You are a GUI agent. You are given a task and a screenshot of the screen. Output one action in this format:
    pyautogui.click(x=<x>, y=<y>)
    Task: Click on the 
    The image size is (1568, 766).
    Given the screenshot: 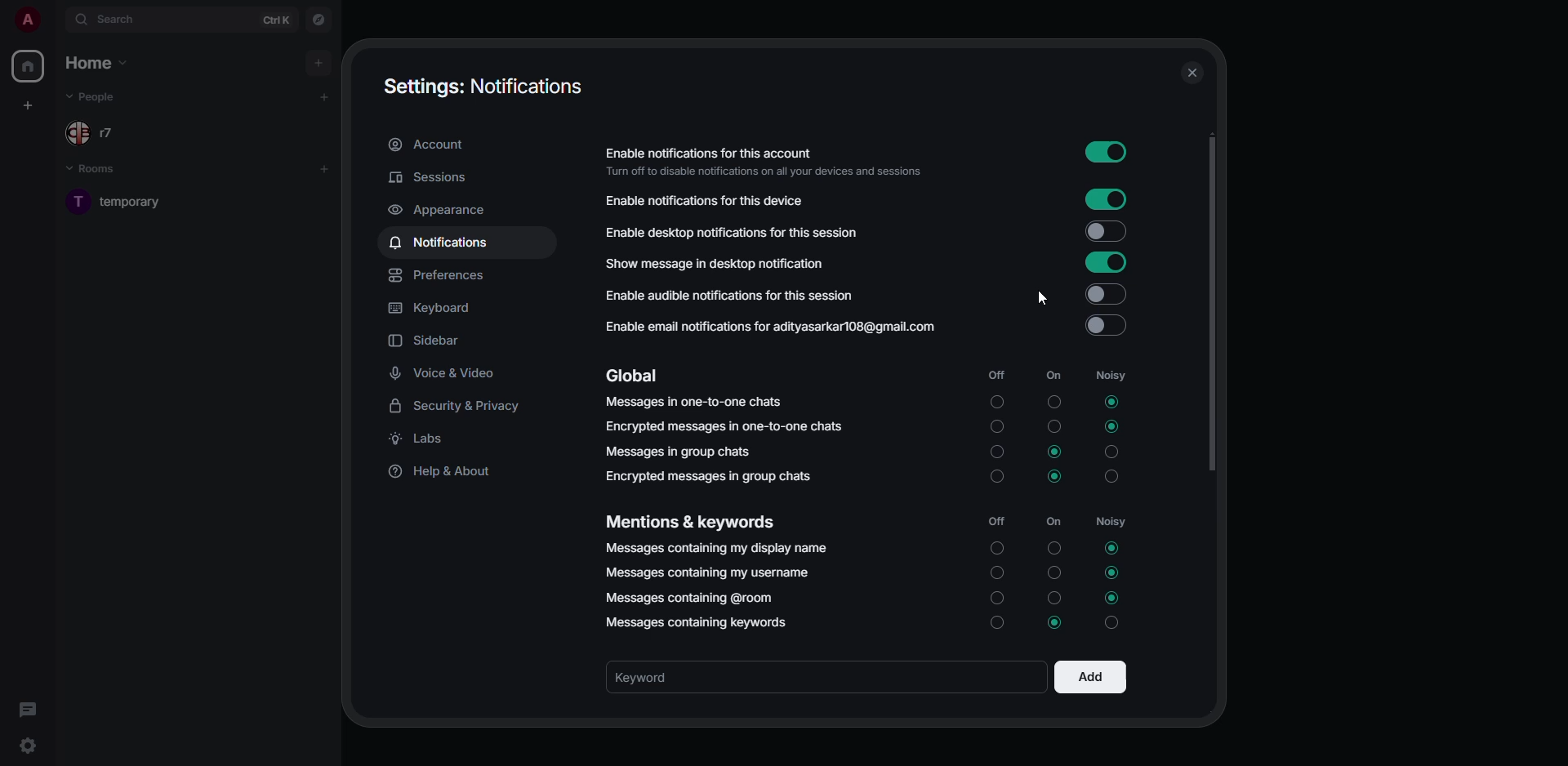 What is the action you would take?
    pyautogui.click(x=1052, y=402)
    